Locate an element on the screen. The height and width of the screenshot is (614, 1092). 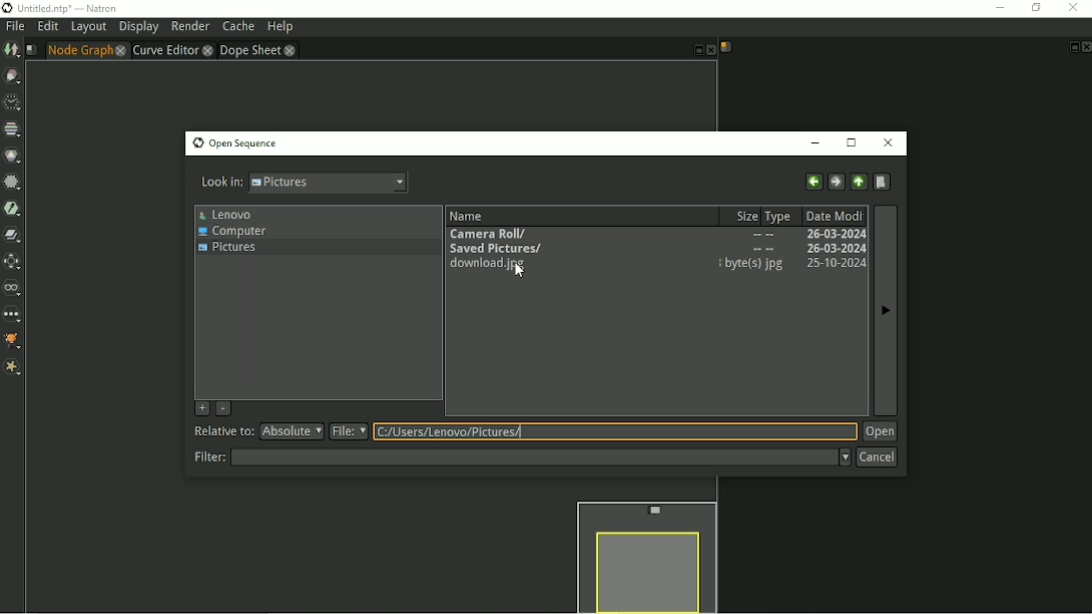
Camera Roll/ is located at coordinates (496, 234).